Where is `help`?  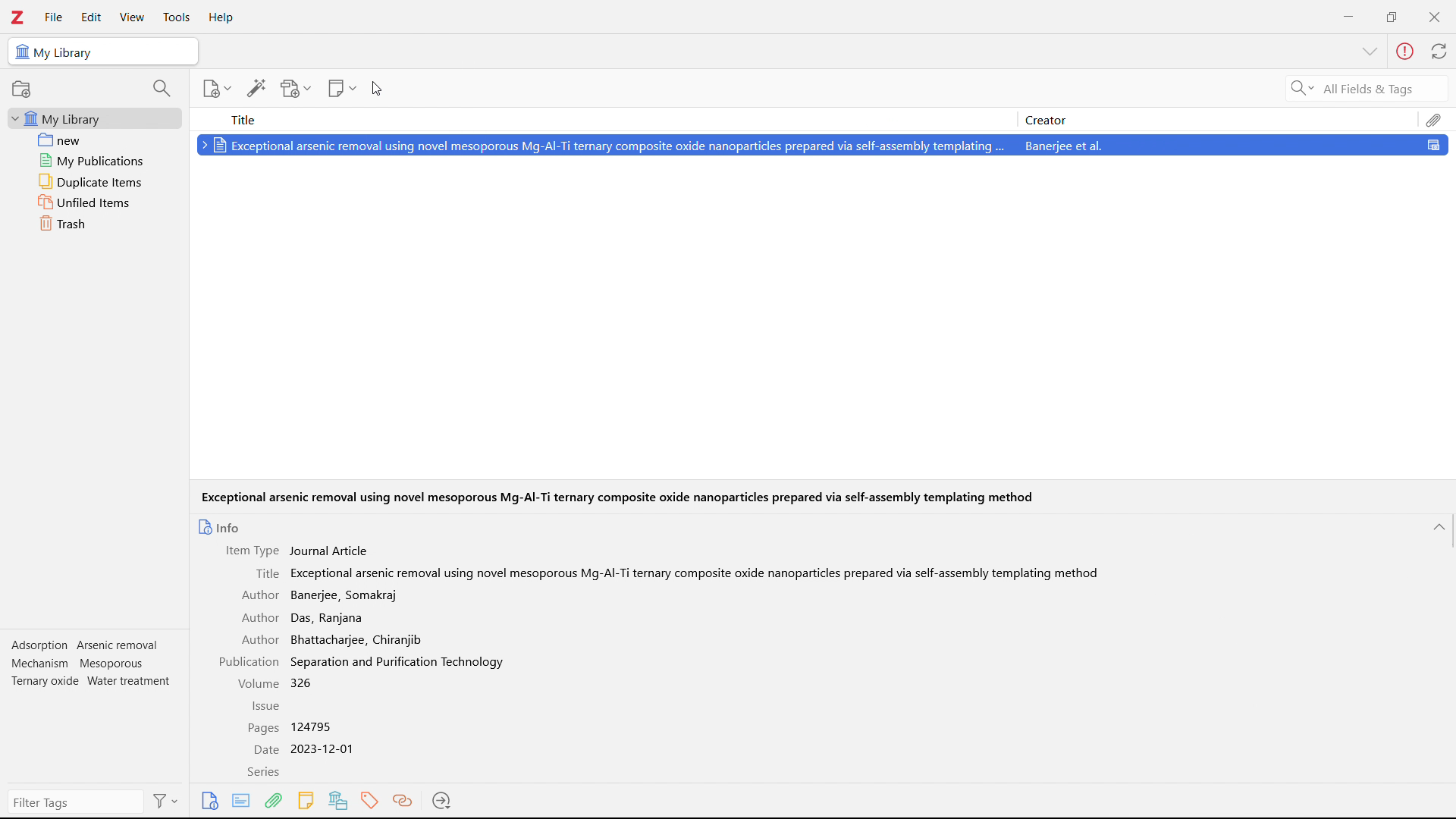 help is located at coordinates (223, 17).